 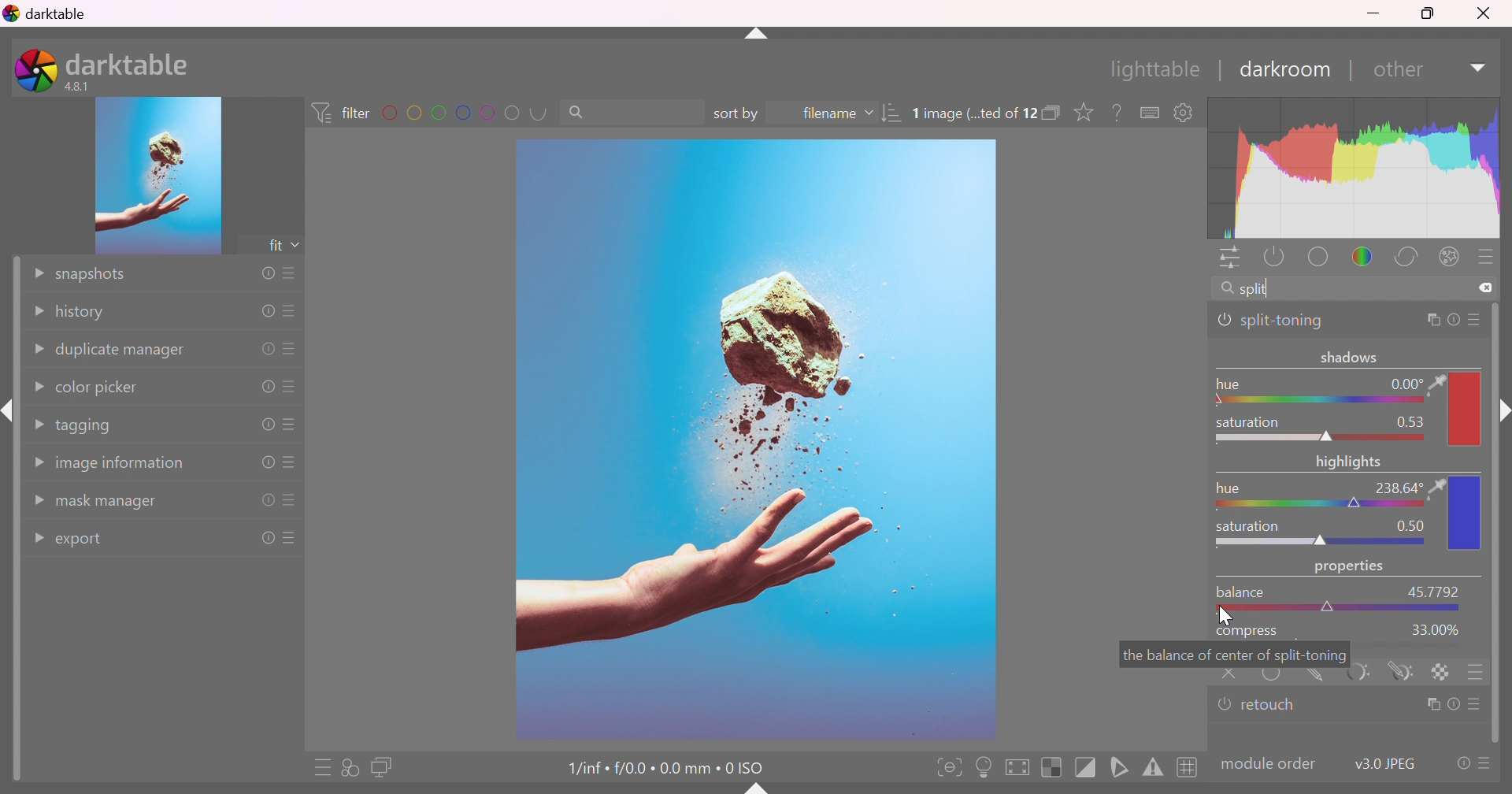 I want to click on quick access panel, so click(x=1230, y=256).